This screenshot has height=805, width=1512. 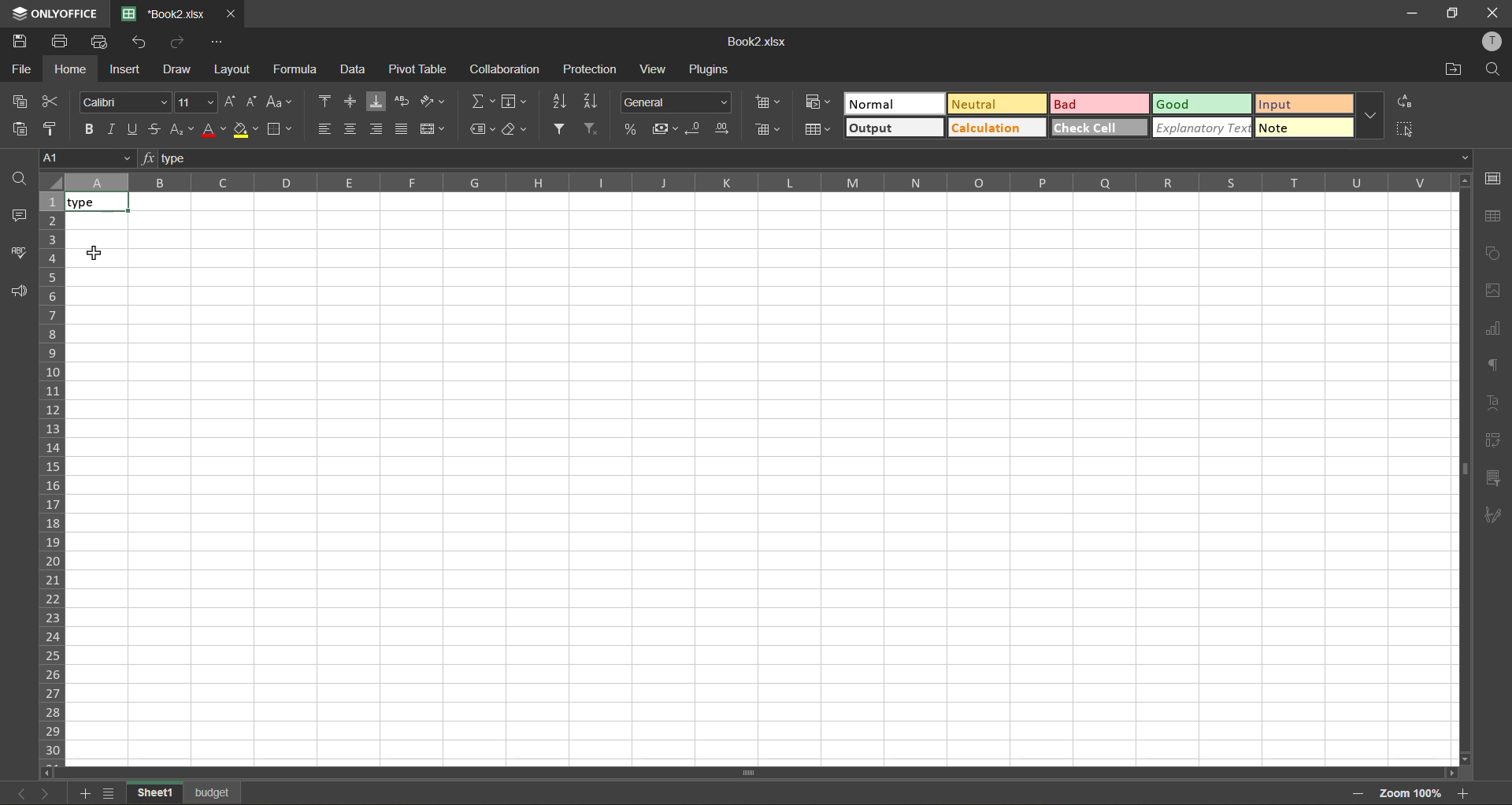 I want to click on sort ascending, so click(x=559, y=101).